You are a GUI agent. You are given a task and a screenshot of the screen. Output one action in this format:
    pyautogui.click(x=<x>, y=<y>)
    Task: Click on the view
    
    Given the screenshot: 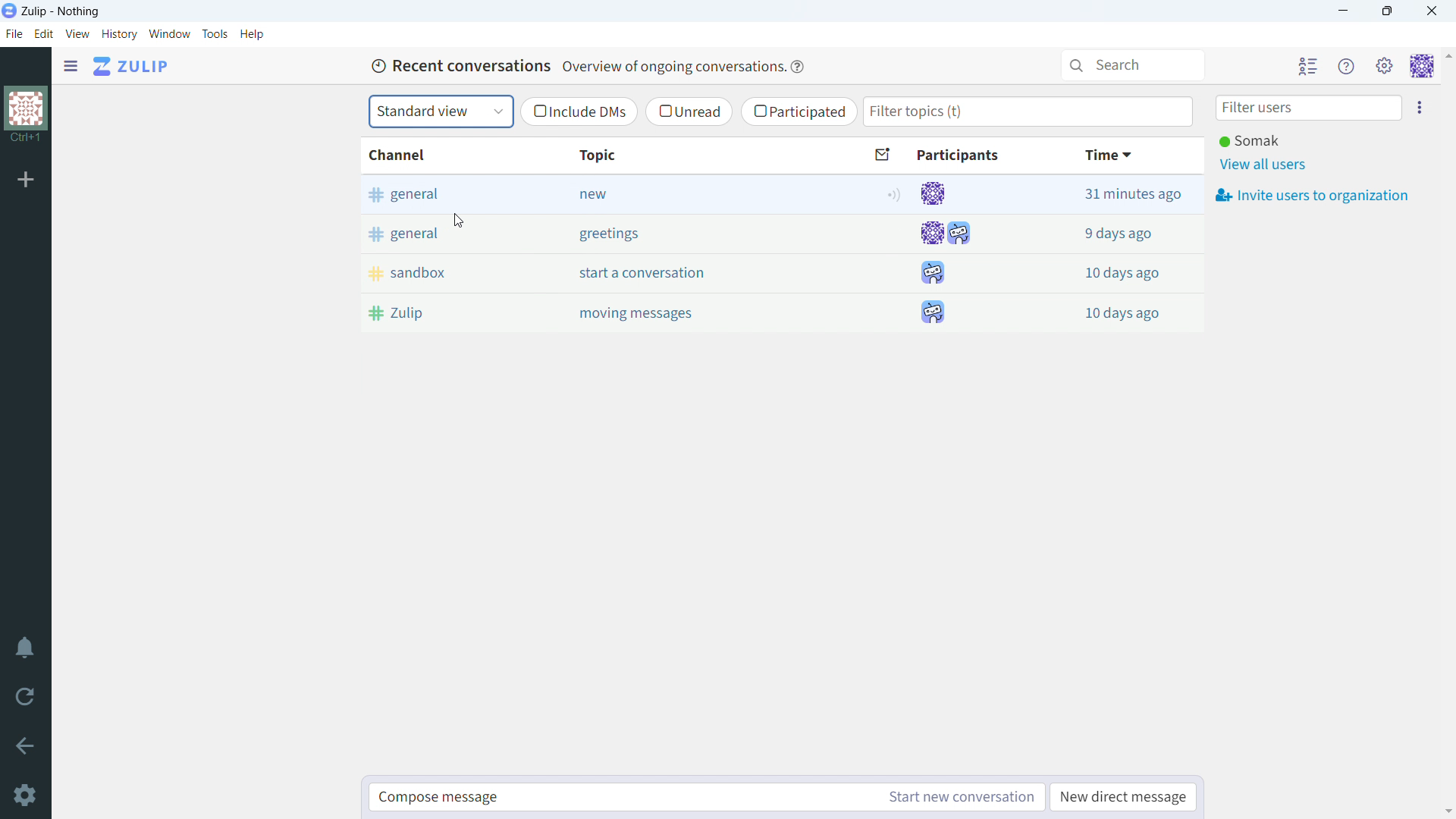 What is the action you would take?
    pyautogui.click(x=78, y=33)
    